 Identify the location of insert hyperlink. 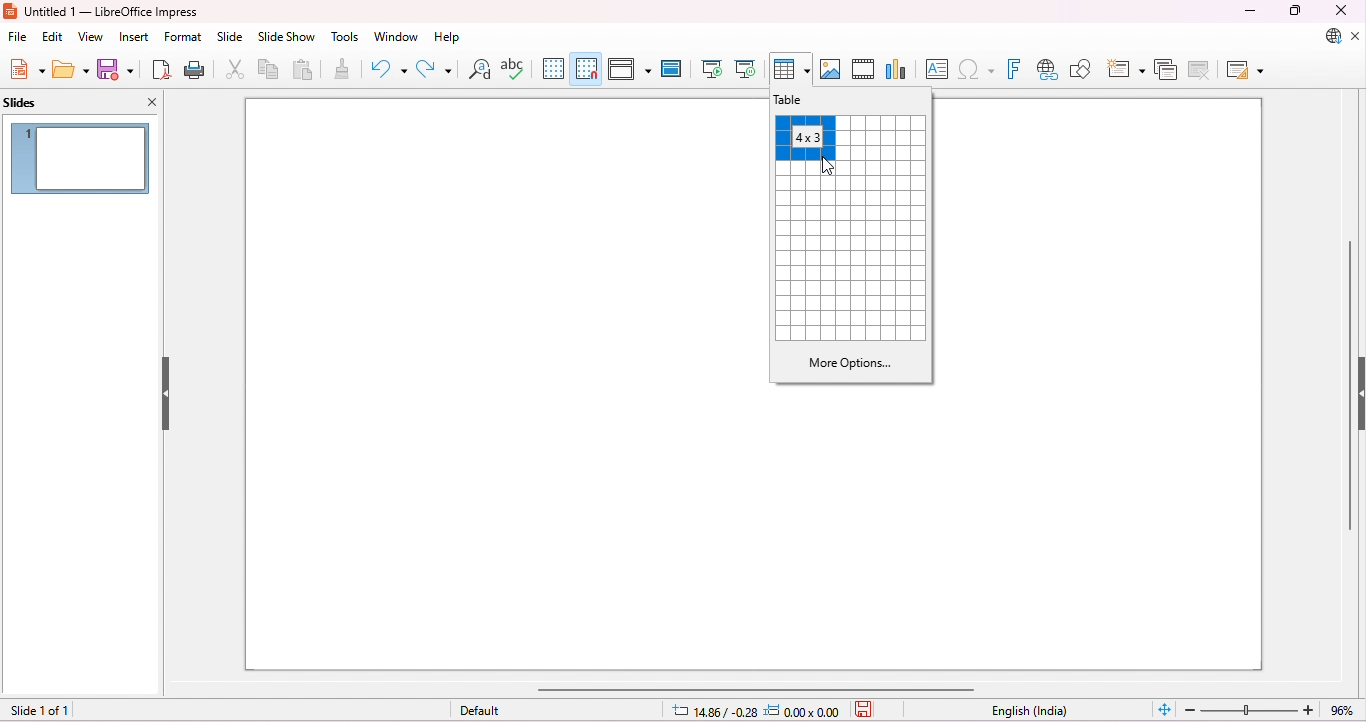
(1048, 70).